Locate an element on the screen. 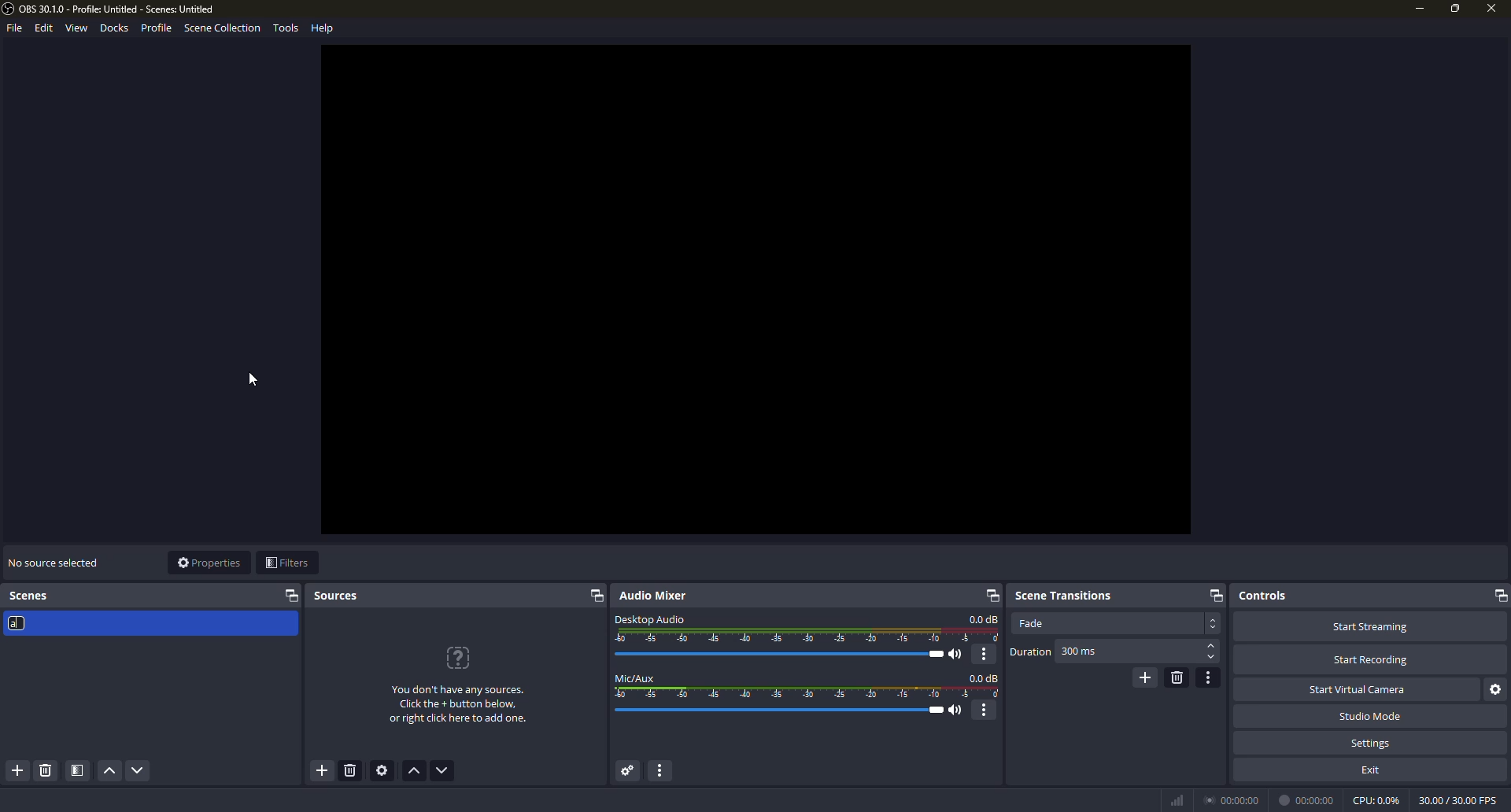  selected scene is located at coordinates (150, 623).